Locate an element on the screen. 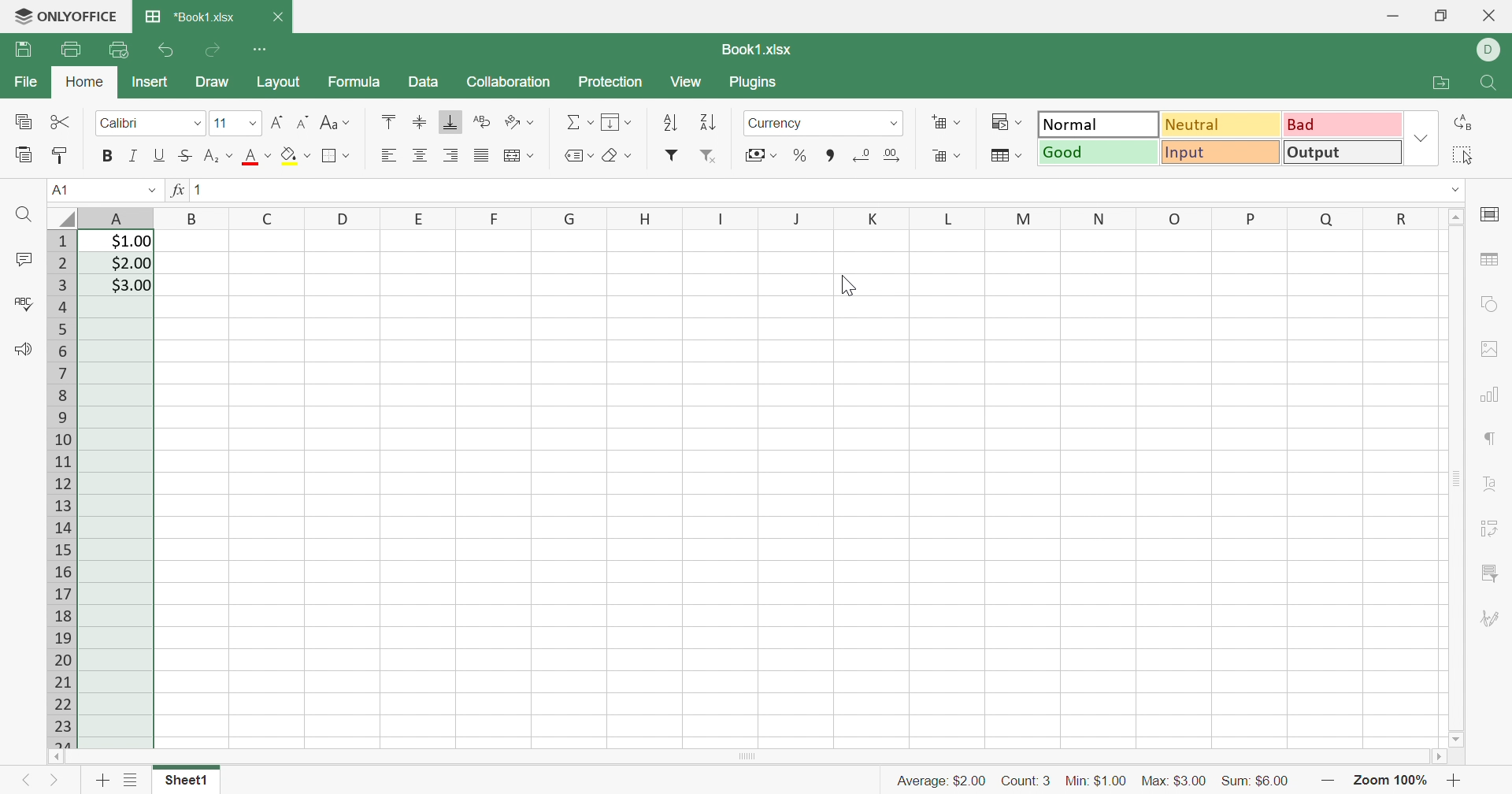  Feedback & Support is located at coordinates (23, 349).